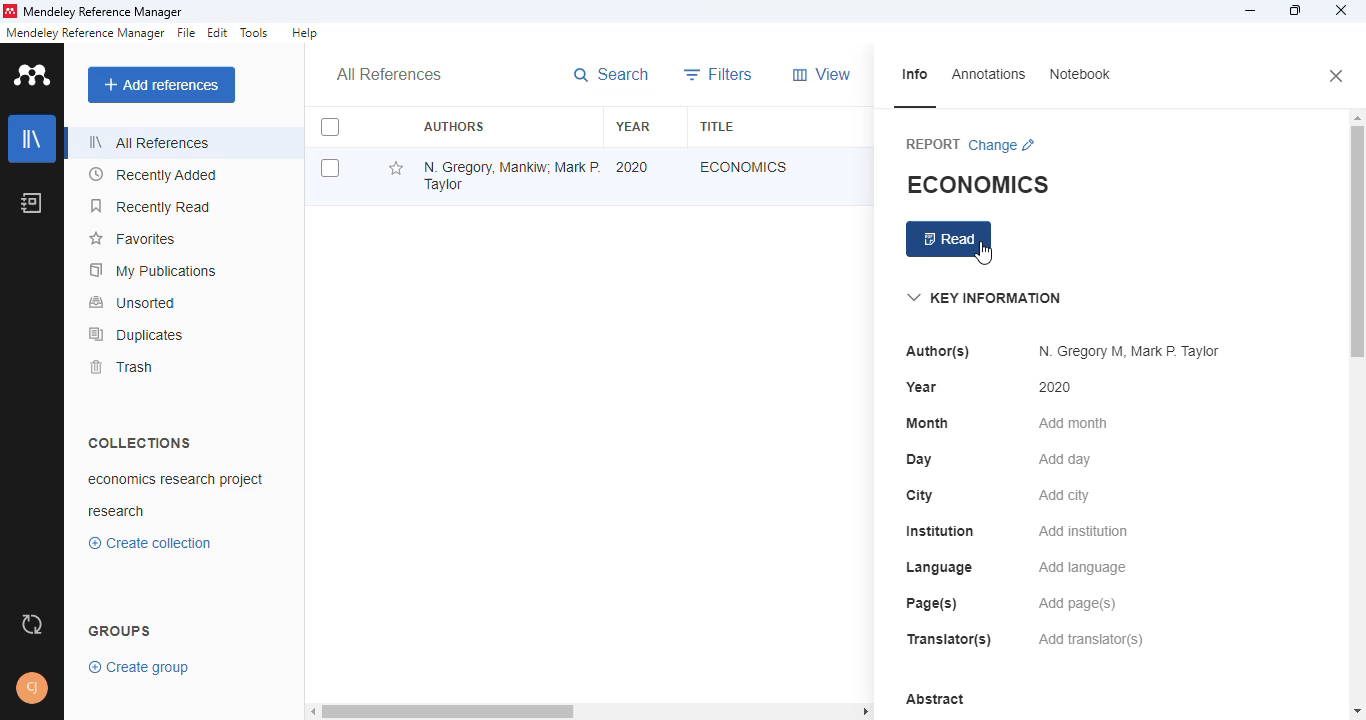  Describe the element at coordinates (984, 254) in the screenshot. I see `cursor` at that location.